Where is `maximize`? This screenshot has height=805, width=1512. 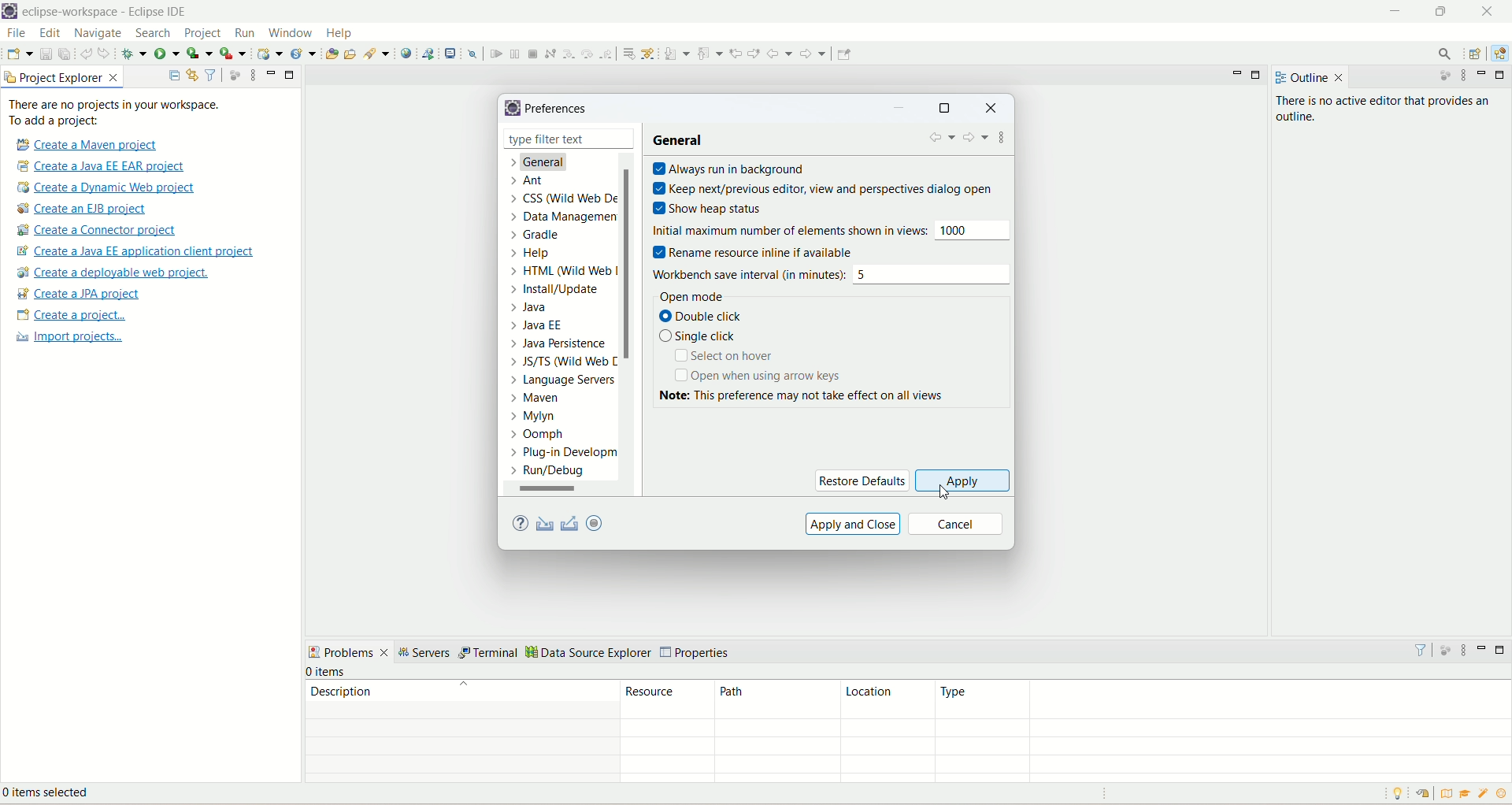
maximize is located at coordinates (1501, 75).